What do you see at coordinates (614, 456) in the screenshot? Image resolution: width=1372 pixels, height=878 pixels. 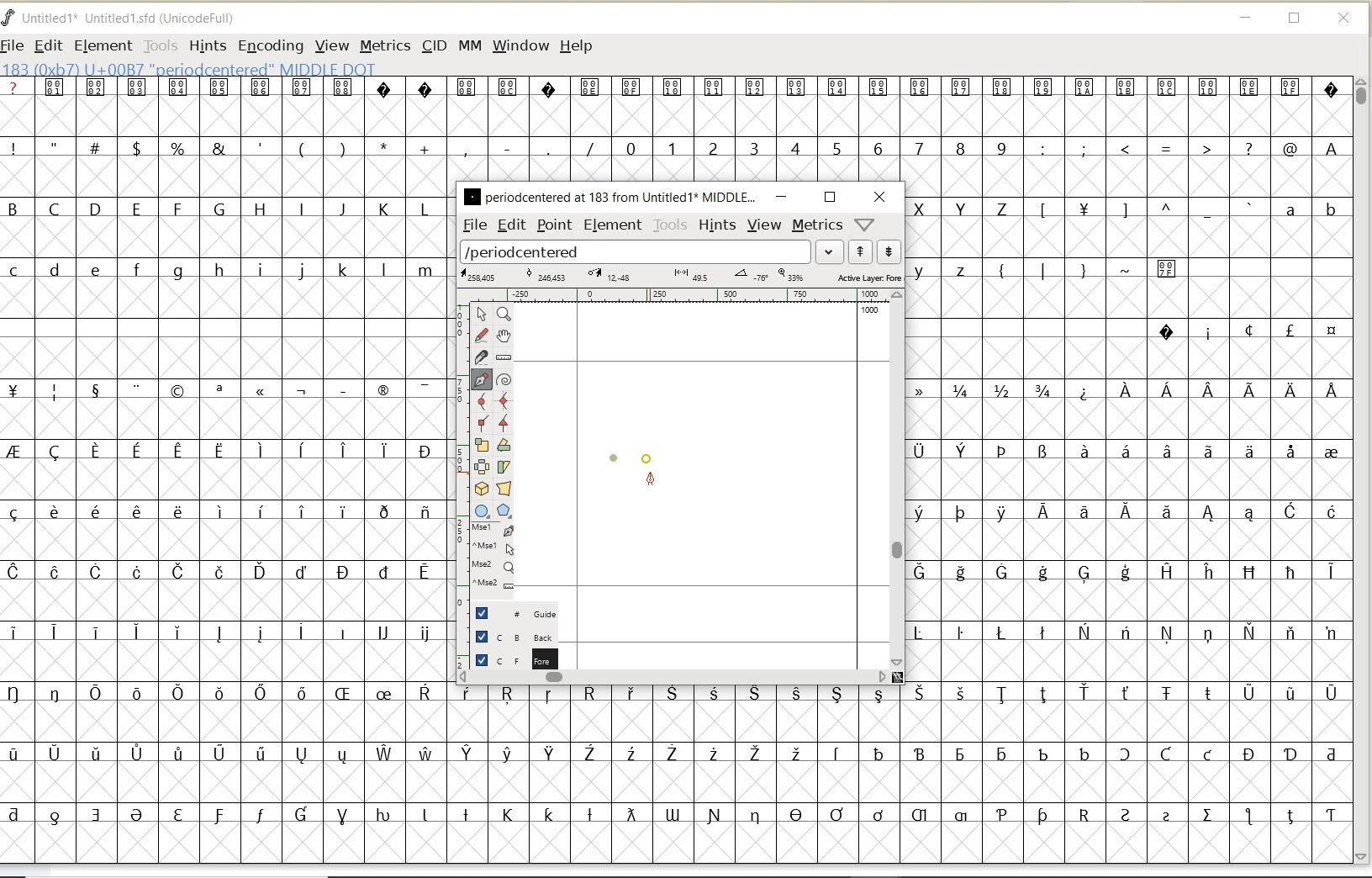 I see `dot` at bounding box center [614, 456].